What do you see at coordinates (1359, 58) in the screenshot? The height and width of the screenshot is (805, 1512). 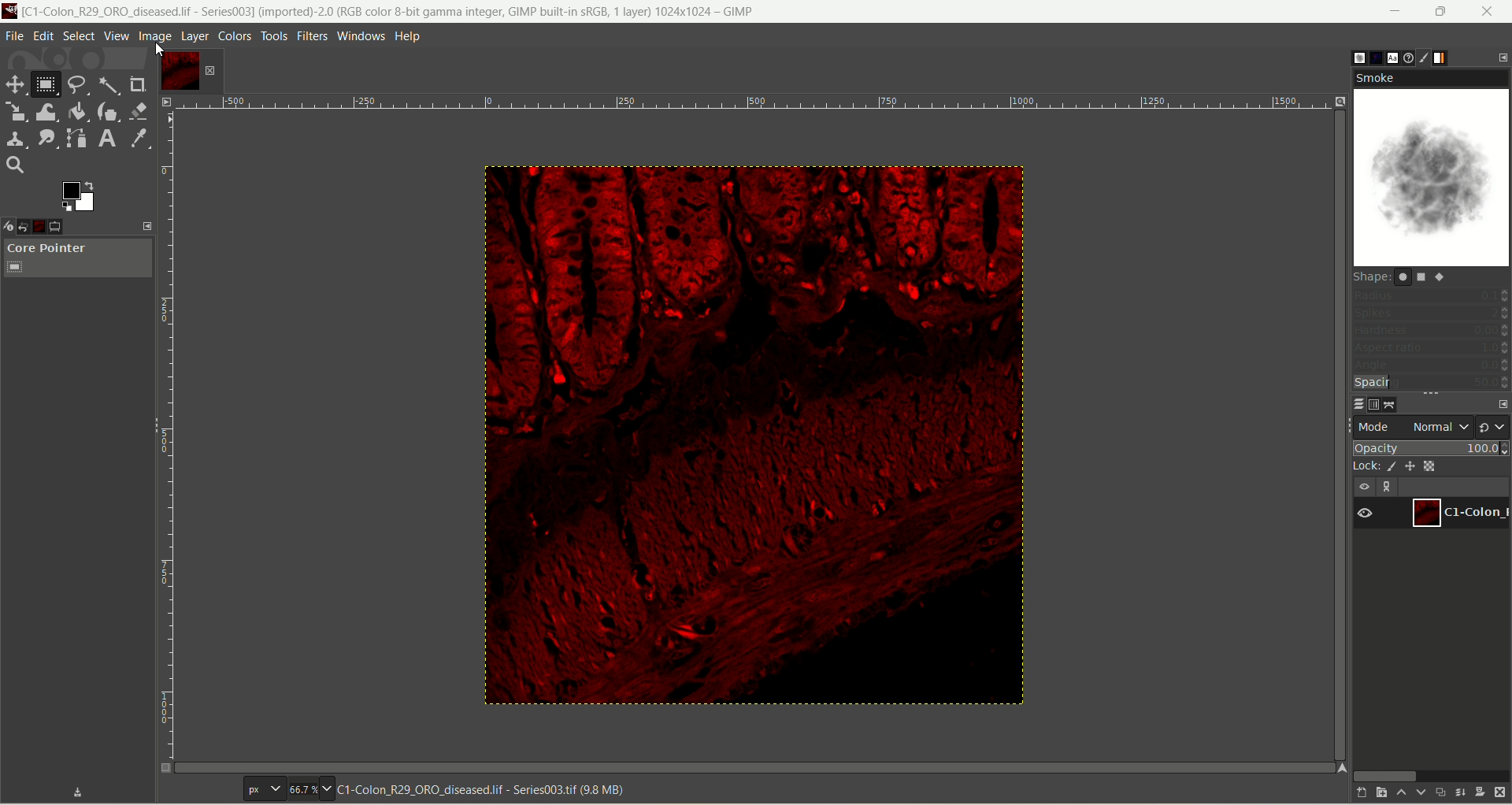 I see `brush` at bounding box center [1359, 58].